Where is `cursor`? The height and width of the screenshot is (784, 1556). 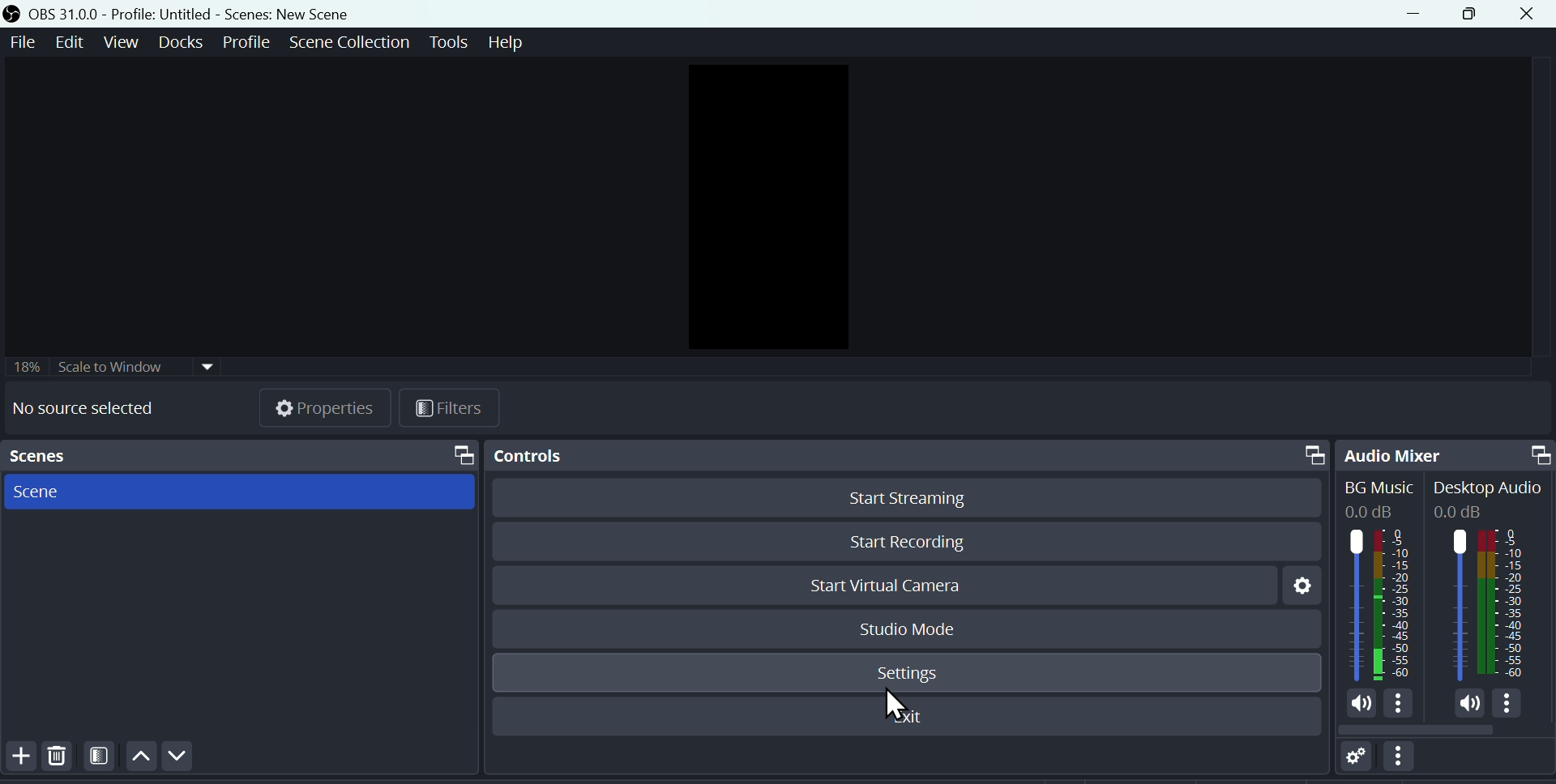 cursor is located at coordinates (896, 705).